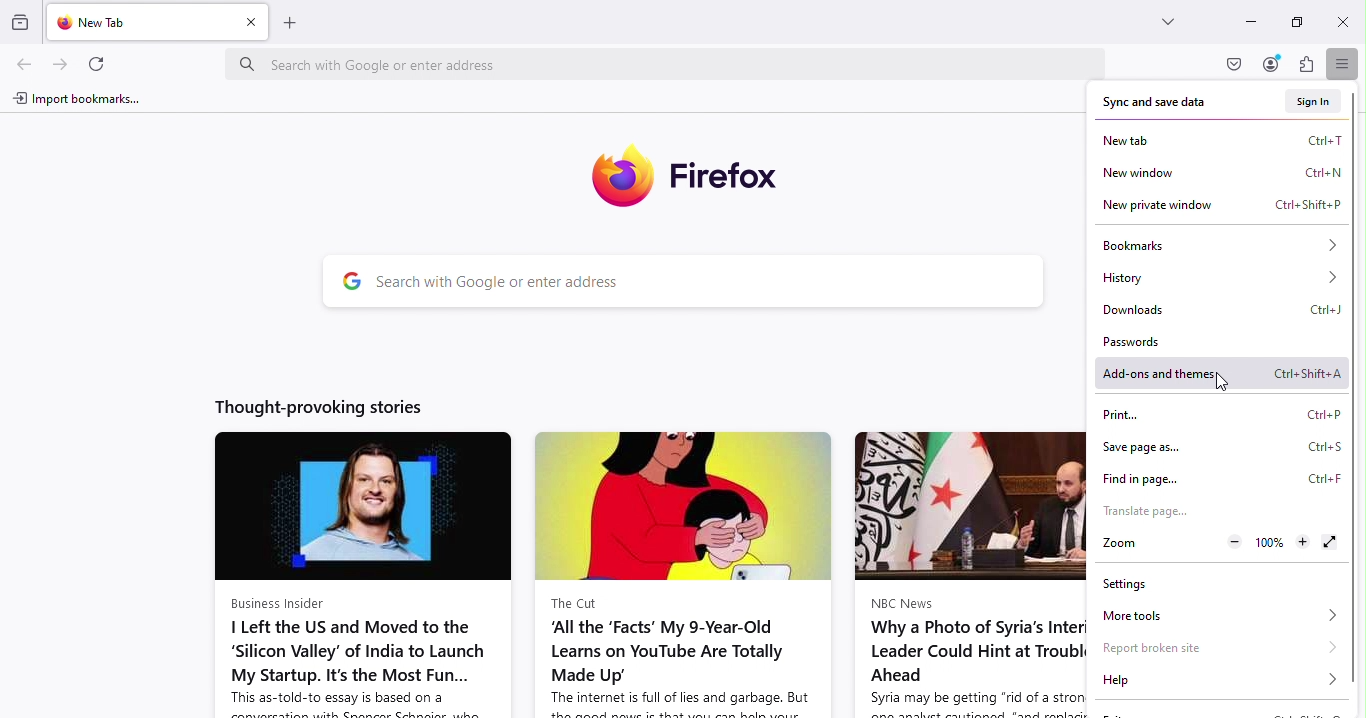  I want to click on History, so click(1217, 279).